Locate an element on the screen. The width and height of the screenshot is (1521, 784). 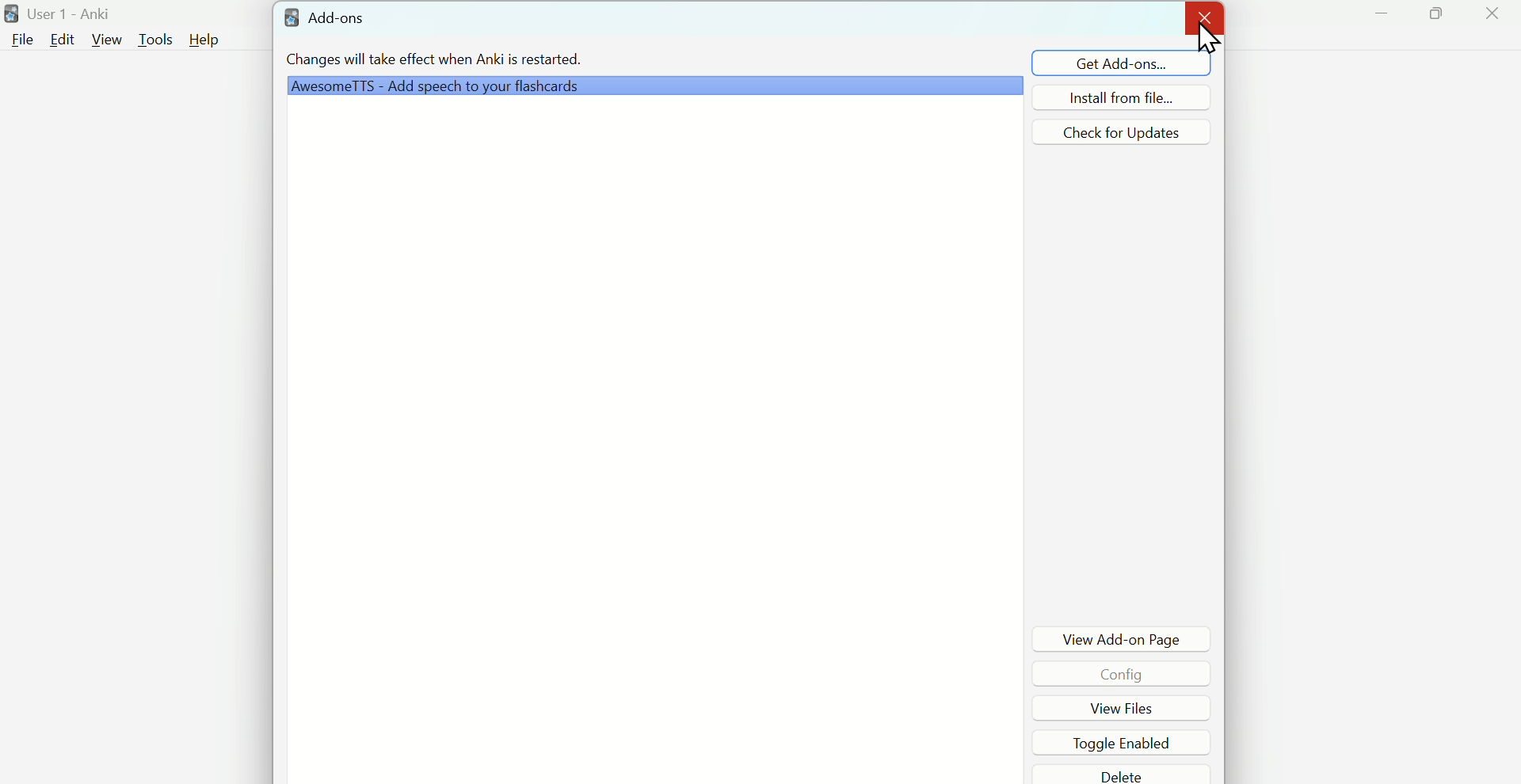
AwesometTTS - Add speech To your f1ashcards is located at coordinates (652, 86).